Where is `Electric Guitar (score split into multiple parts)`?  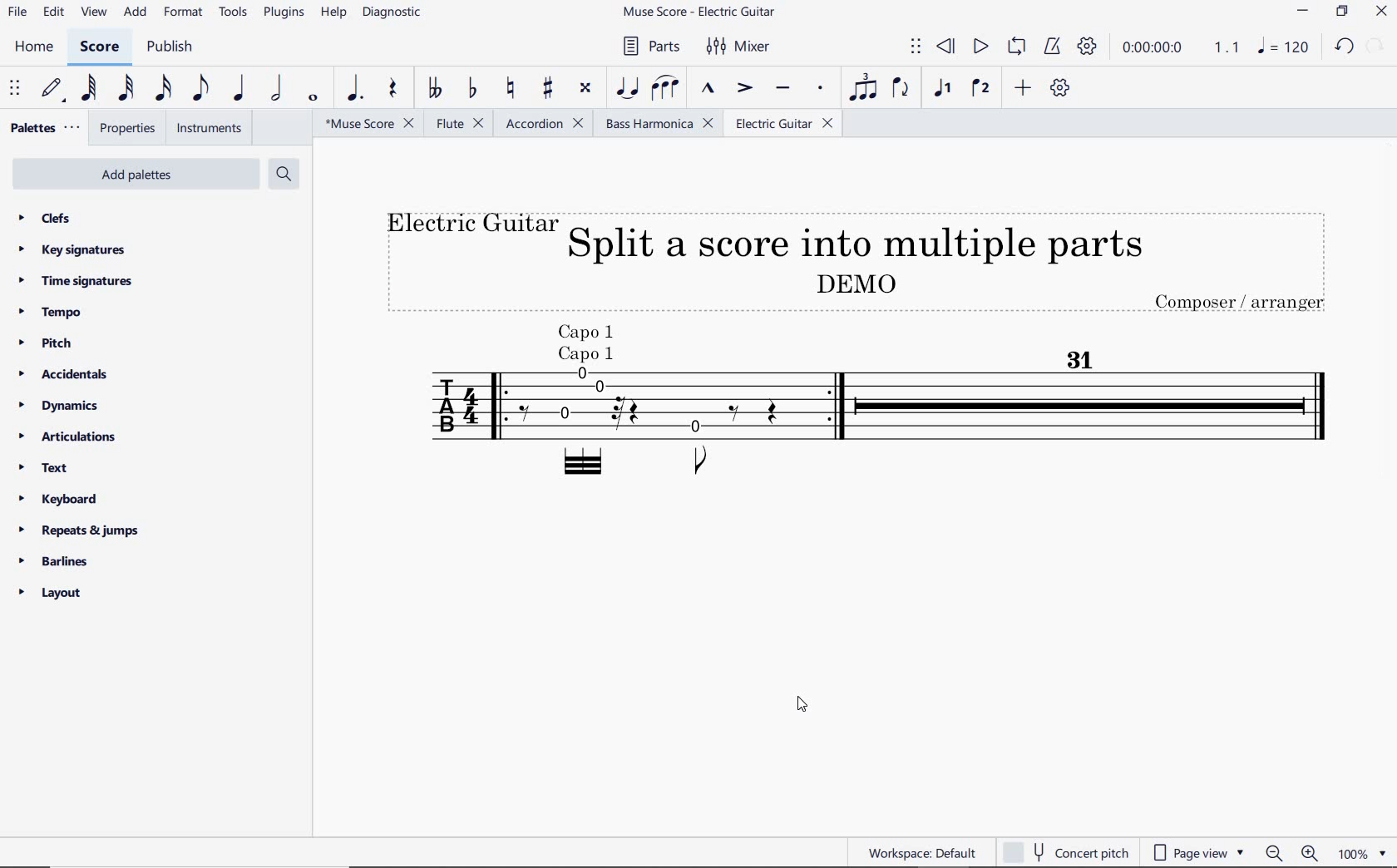
Electric Guitar (score split into multiple parts) is located at coordinates (783, 123).